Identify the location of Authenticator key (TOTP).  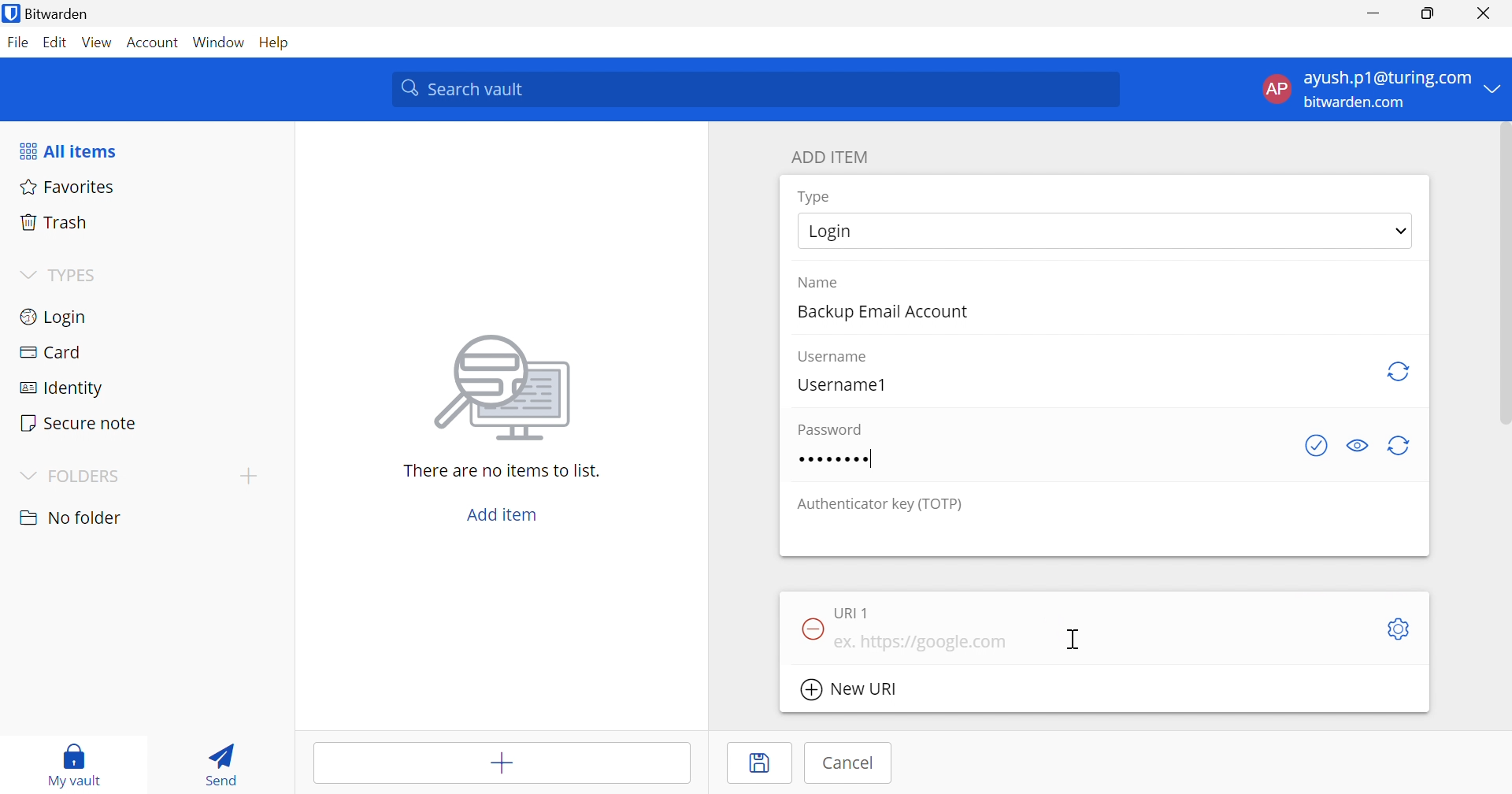
(880, 506).